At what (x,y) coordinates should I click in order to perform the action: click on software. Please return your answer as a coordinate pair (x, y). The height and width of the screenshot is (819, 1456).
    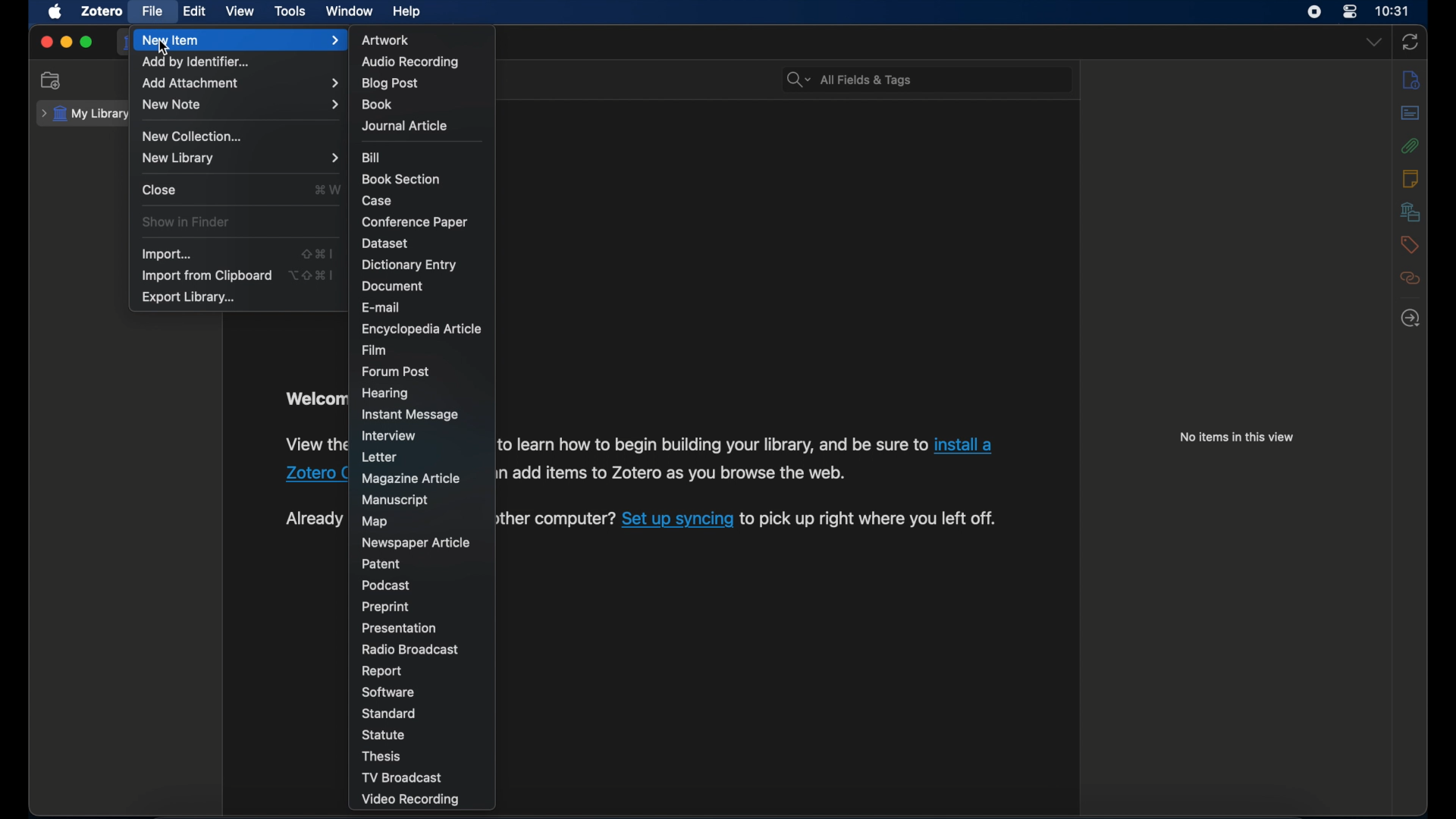
    Looking at the image, I should click on (391, 692).